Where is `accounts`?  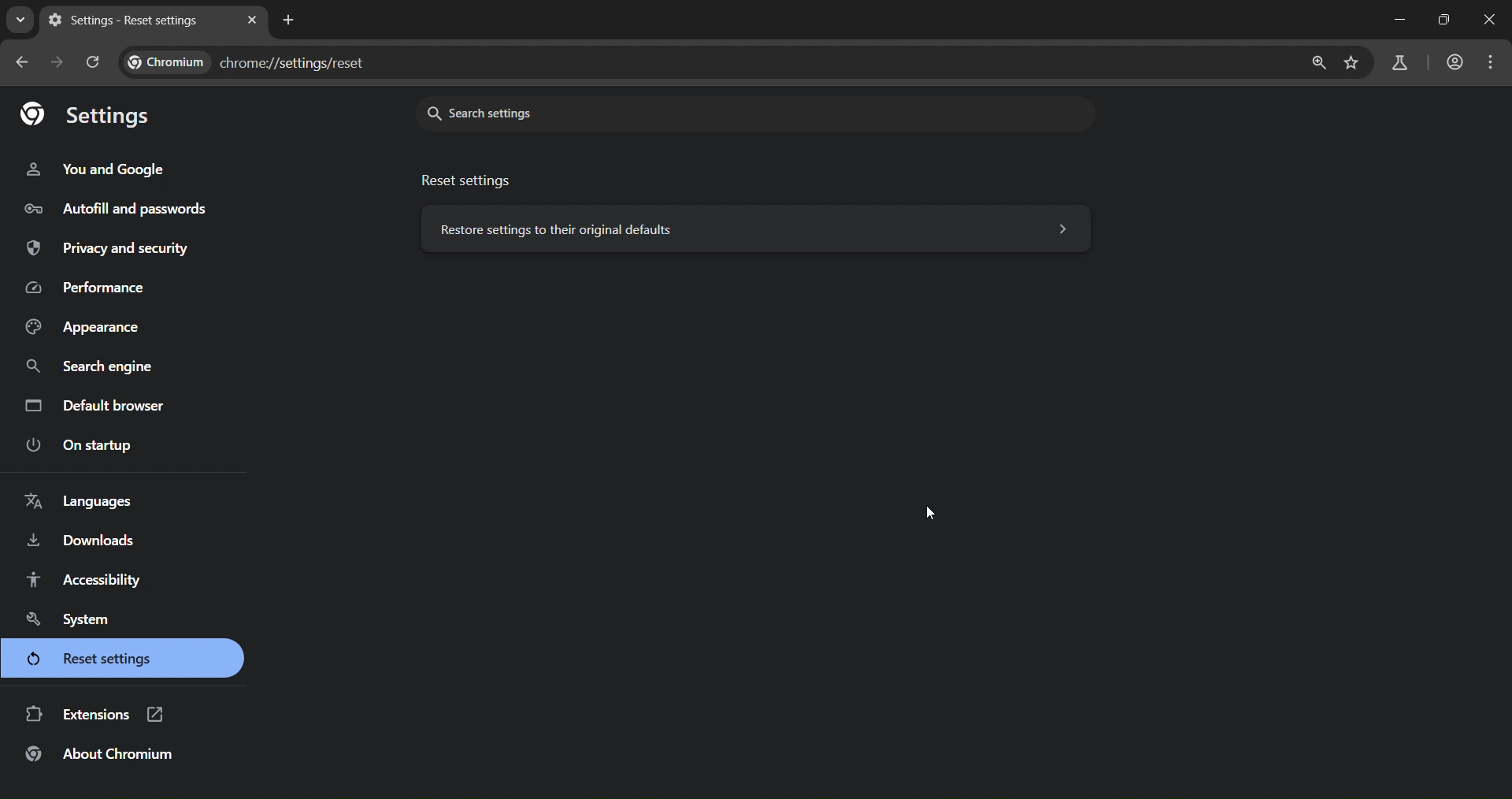
accounts is located at coordinates (1455, 61).